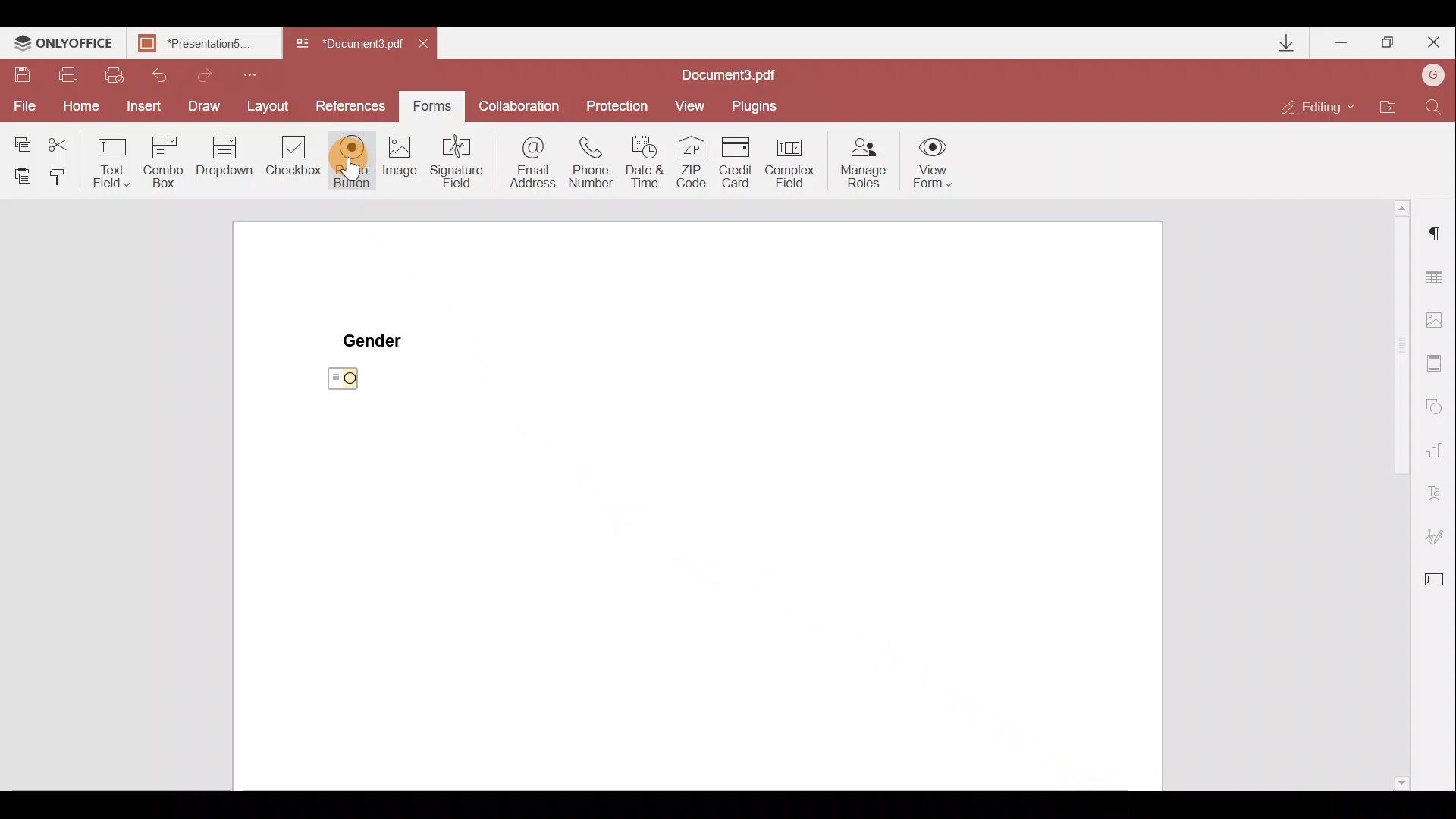  What do you see at coordinates (142, 108) in the screenshot?
I see `Insert` at bounding box center [142, 108].